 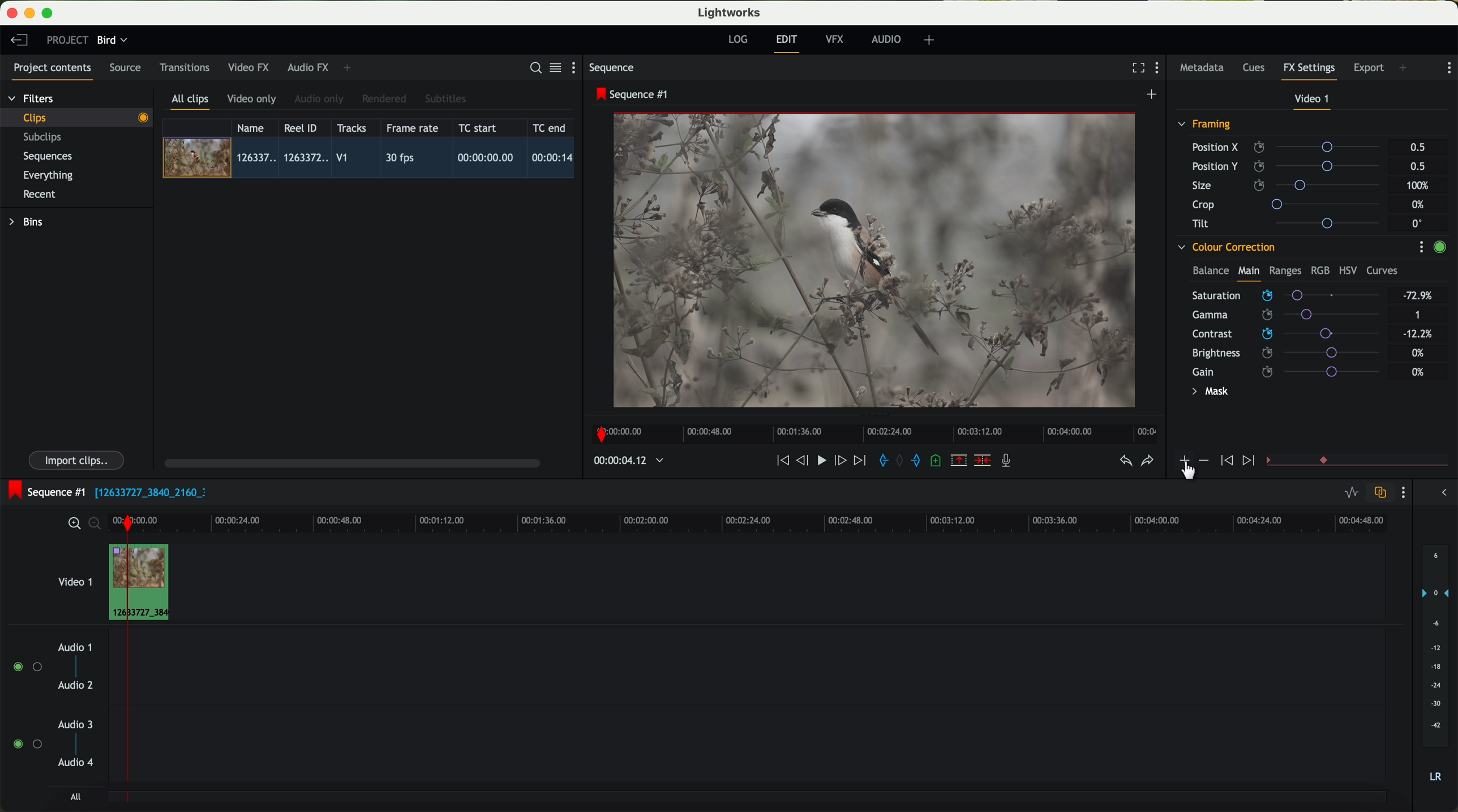 I want to click on show settings menu, so click(x=578, y=67).